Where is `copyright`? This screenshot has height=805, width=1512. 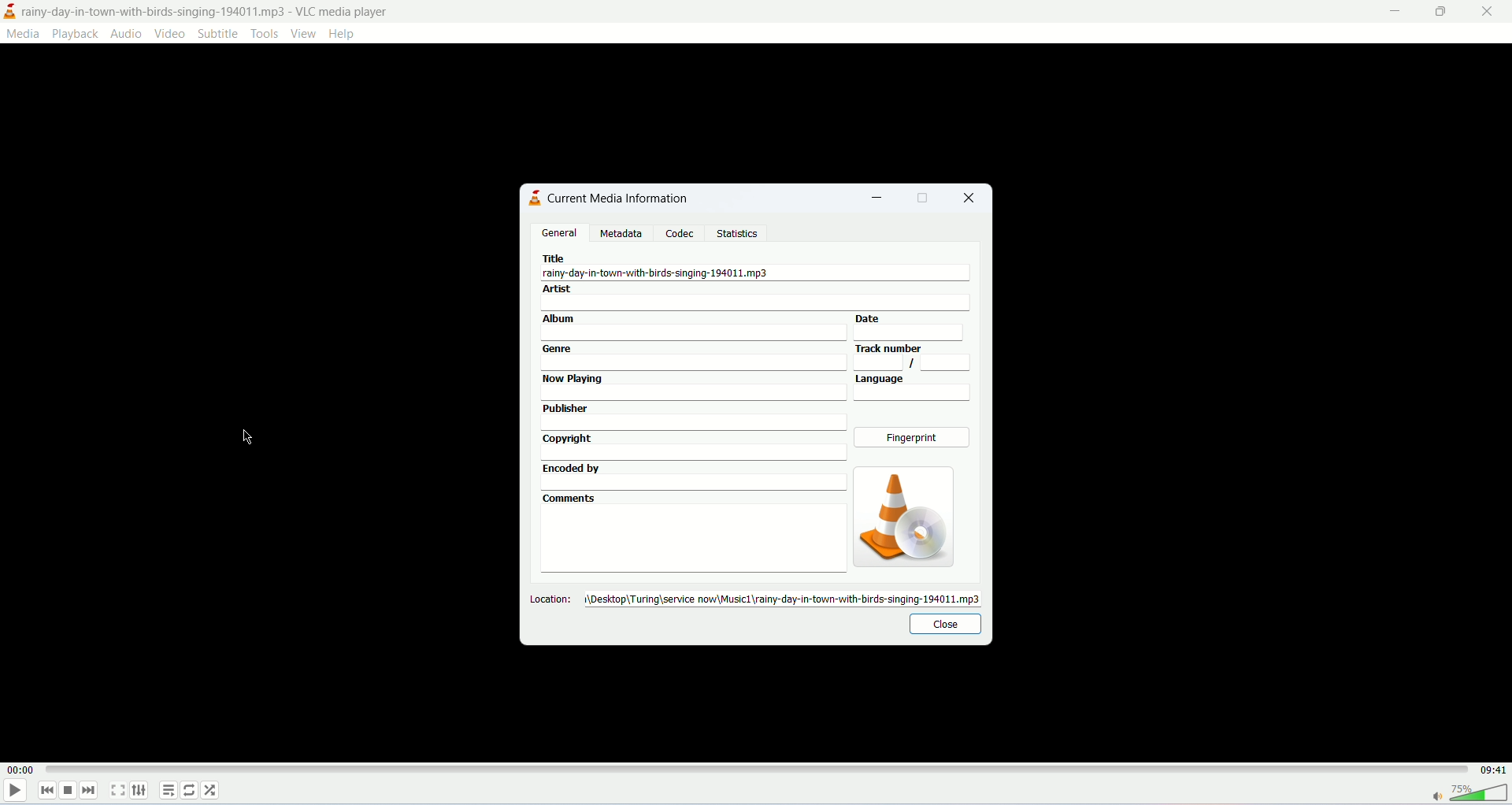 copyright is located at coordinates (698, 446).